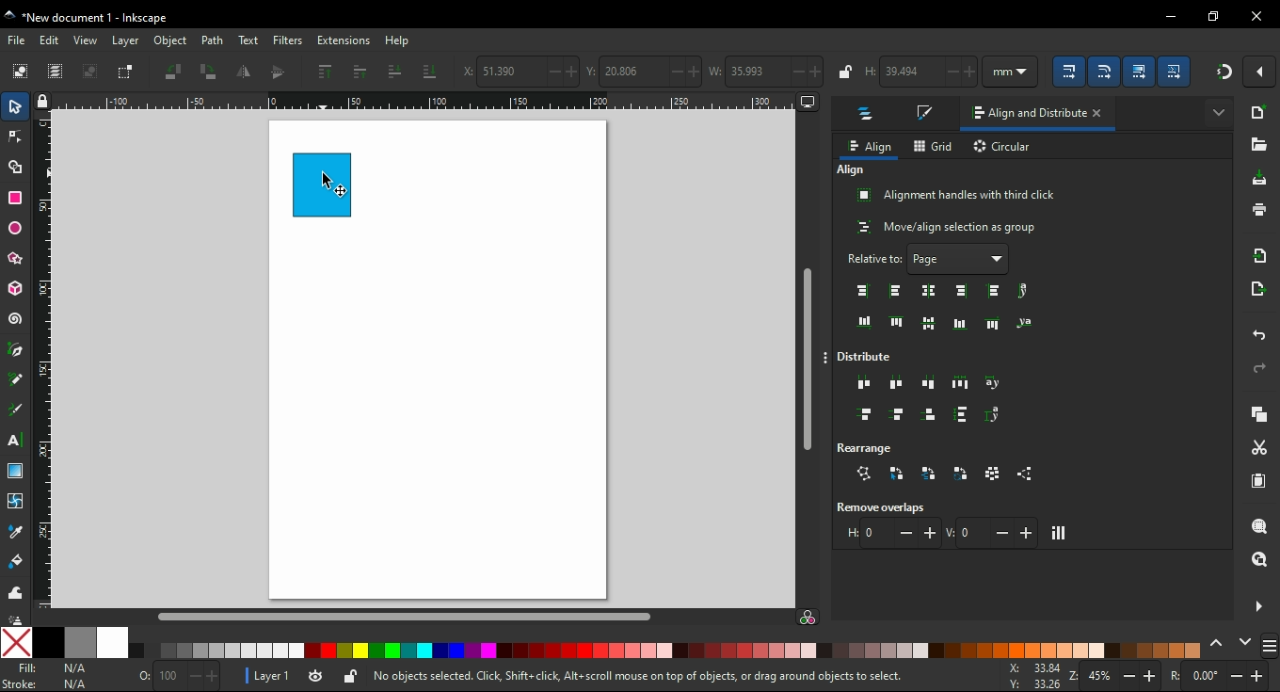 This screenshot has height=692, width=1280. What do you see at coordinates (14, 288) in the screenshot?
I see `3D box tool` at bounding box center [14, 288].